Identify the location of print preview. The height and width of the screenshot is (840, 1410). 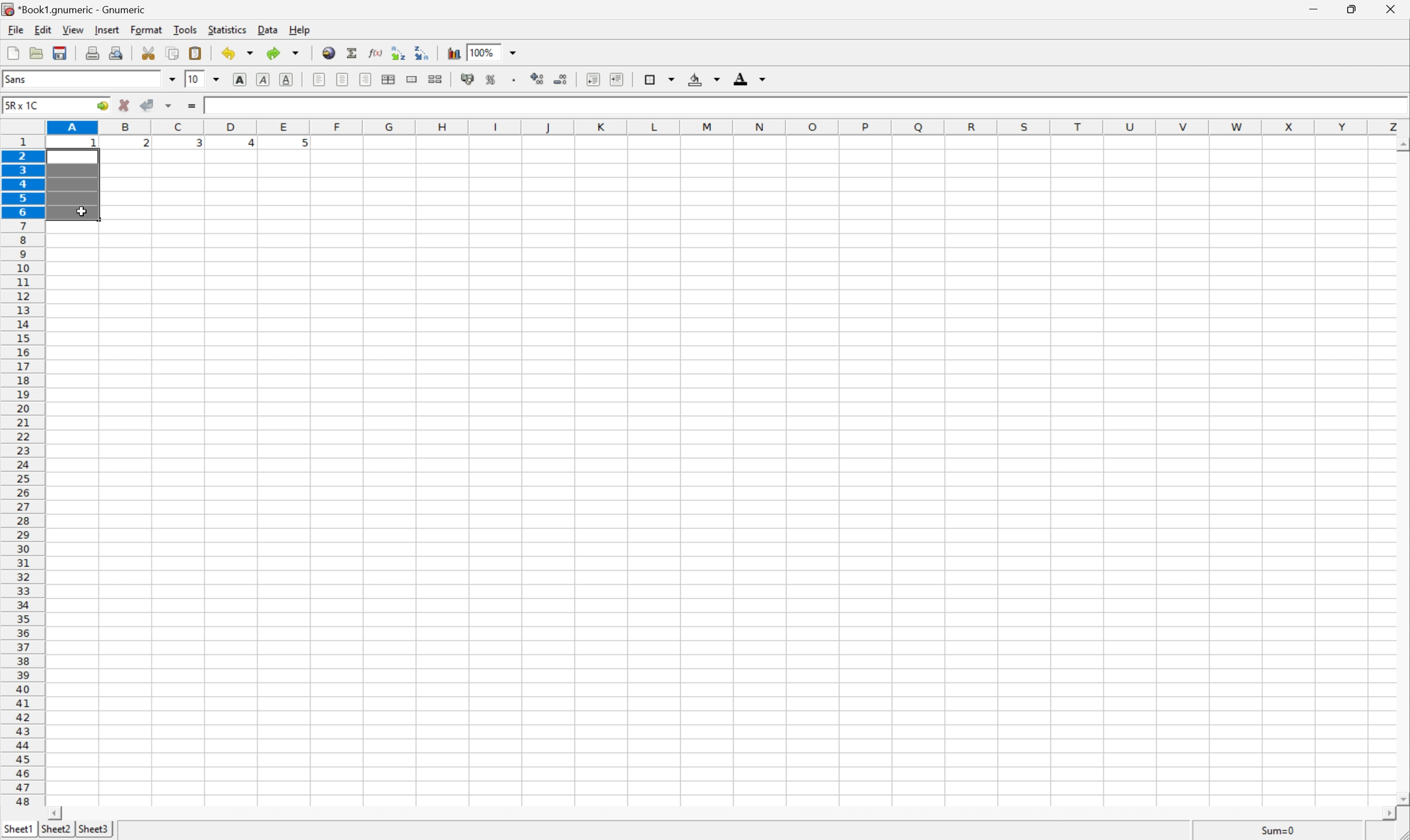
(117, 52).